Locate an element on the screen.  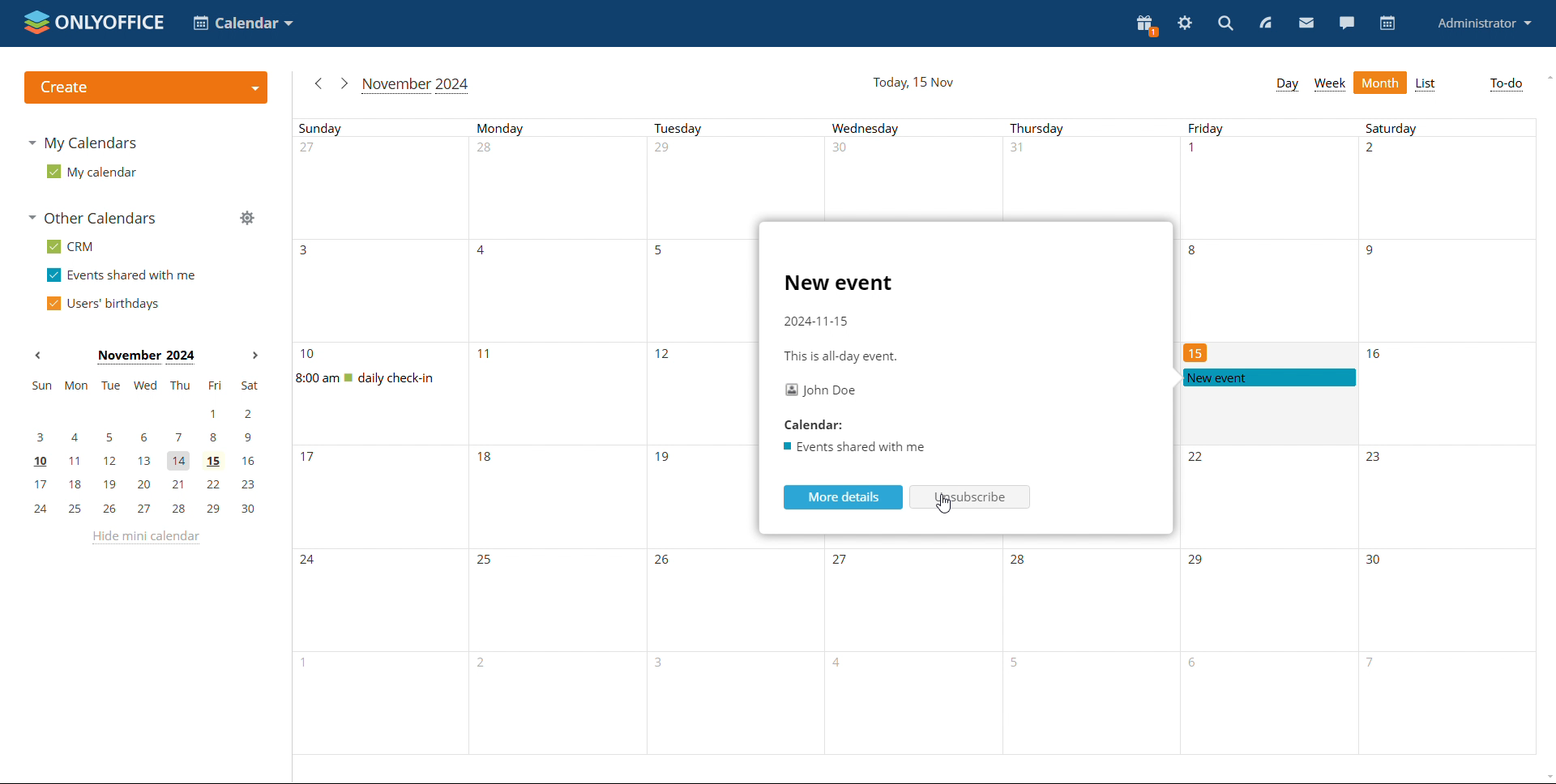
Number is located at coordinates (1191, 252).